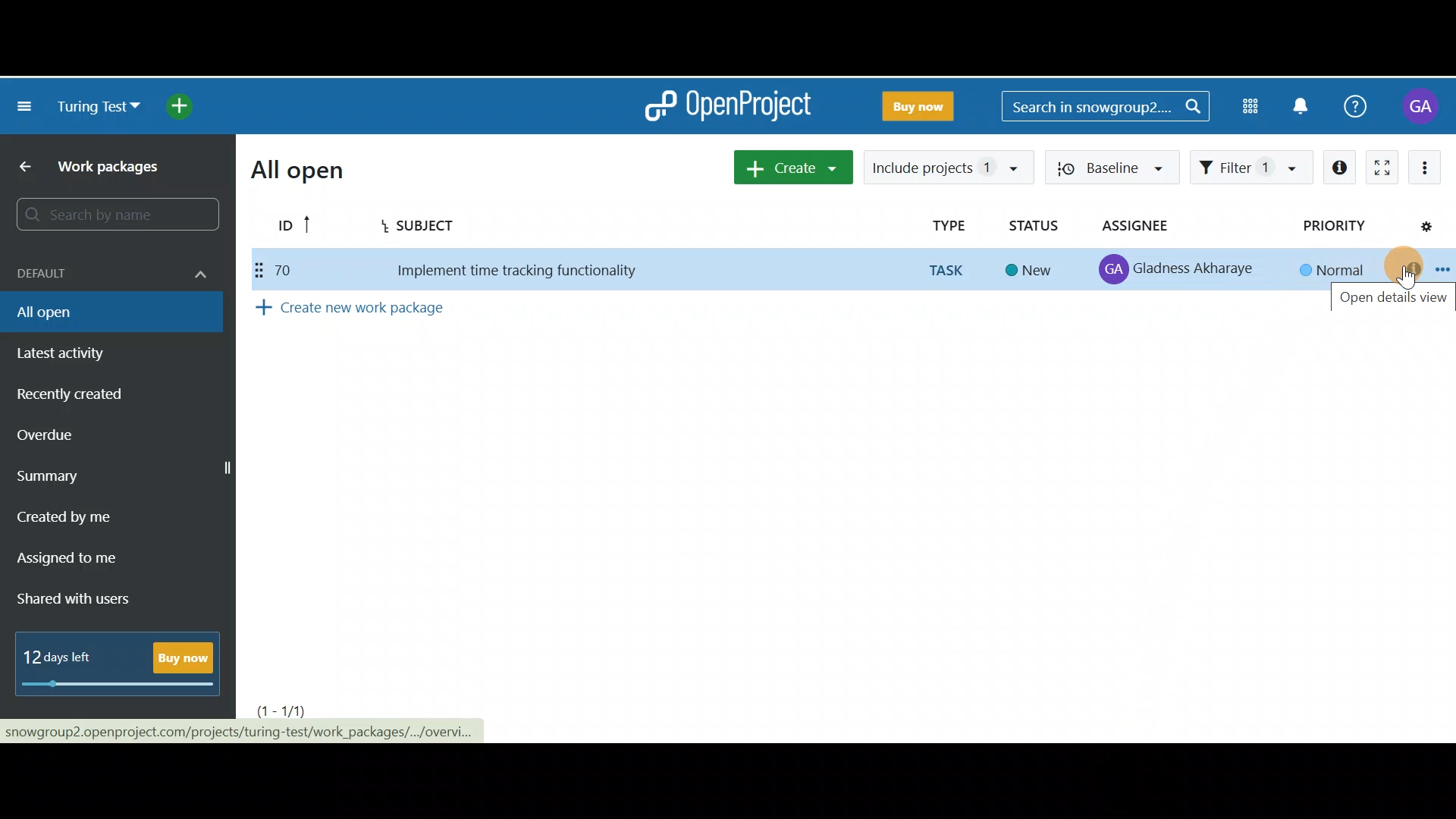 The image size is (1456, 819). I want to click on Configure view, so click(1420, 219).